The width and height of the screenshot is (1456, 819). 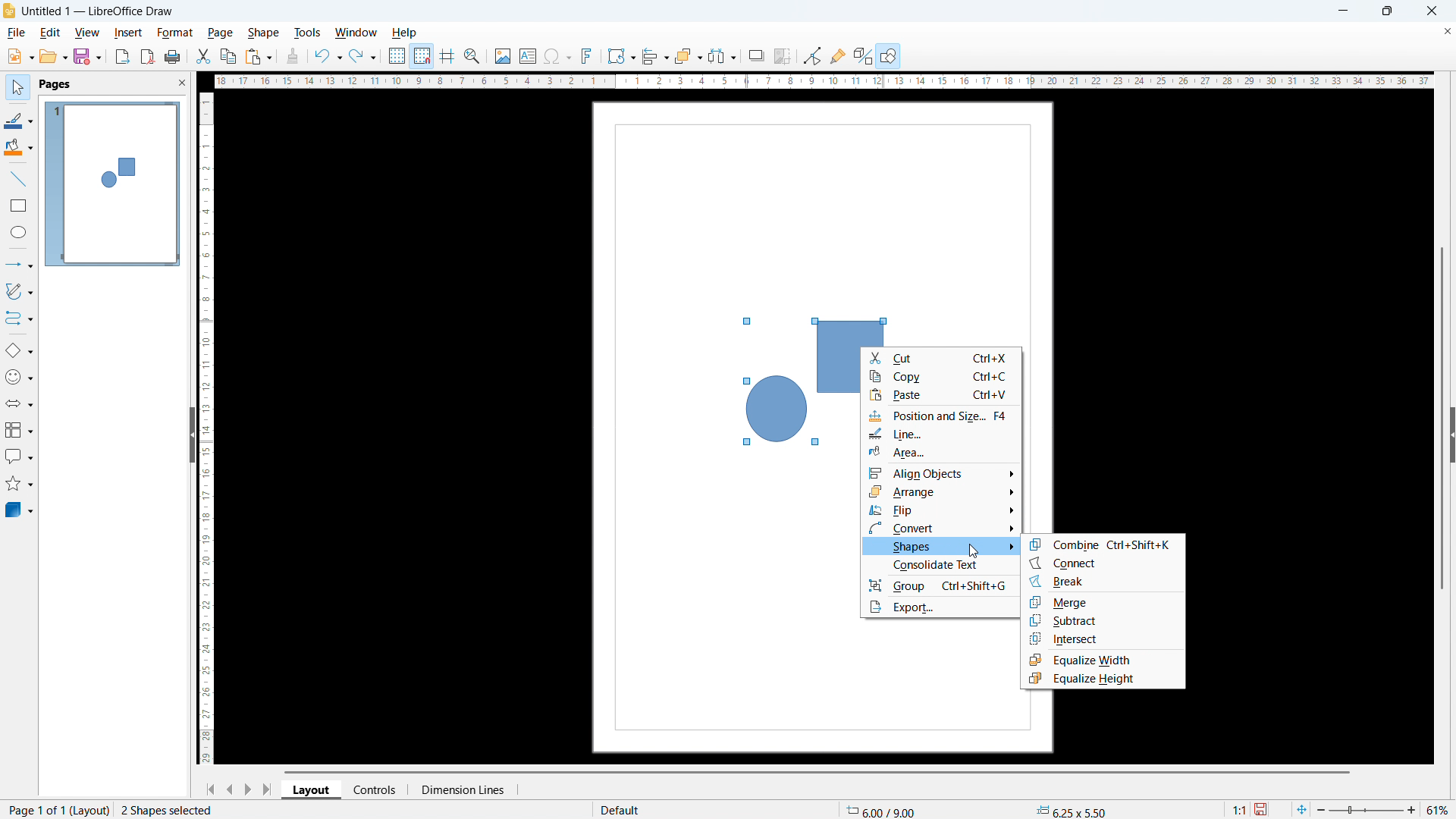 What do you see at coordinates (20, 148) in the screenshot?
I see `background color` at bounding box center [20, 148].